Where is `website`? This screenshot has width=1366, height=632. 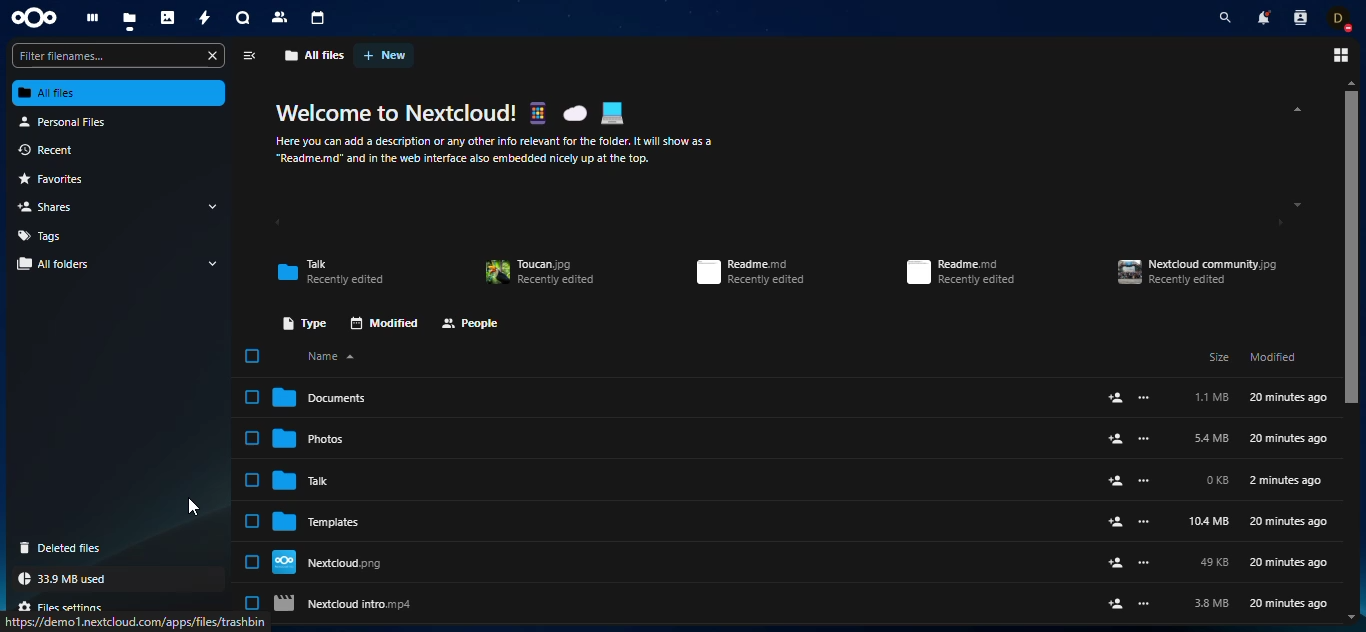 website is located at coordinates (137, 622).